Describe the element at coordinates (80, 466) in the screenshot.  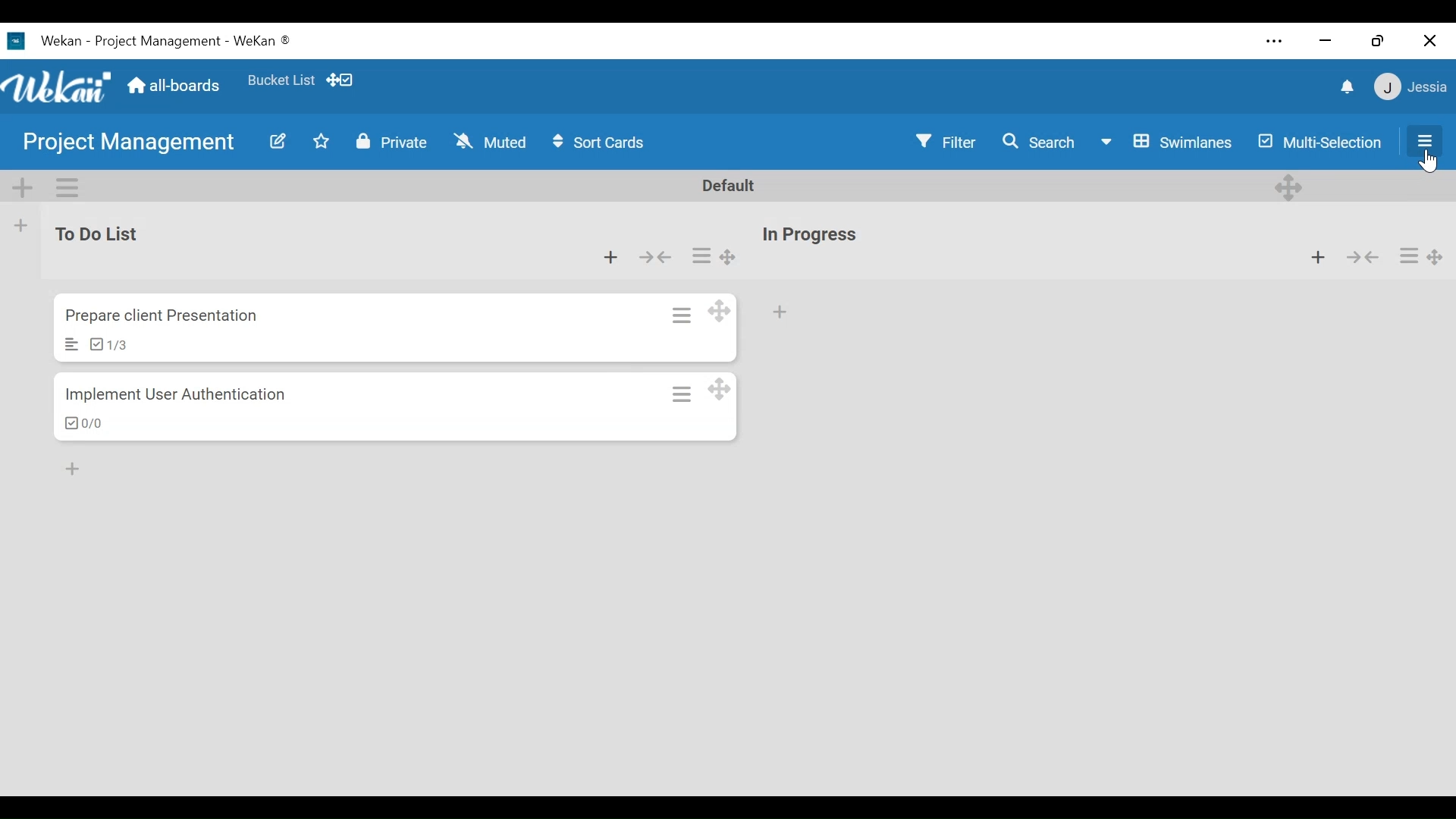
I see `add` at that location.